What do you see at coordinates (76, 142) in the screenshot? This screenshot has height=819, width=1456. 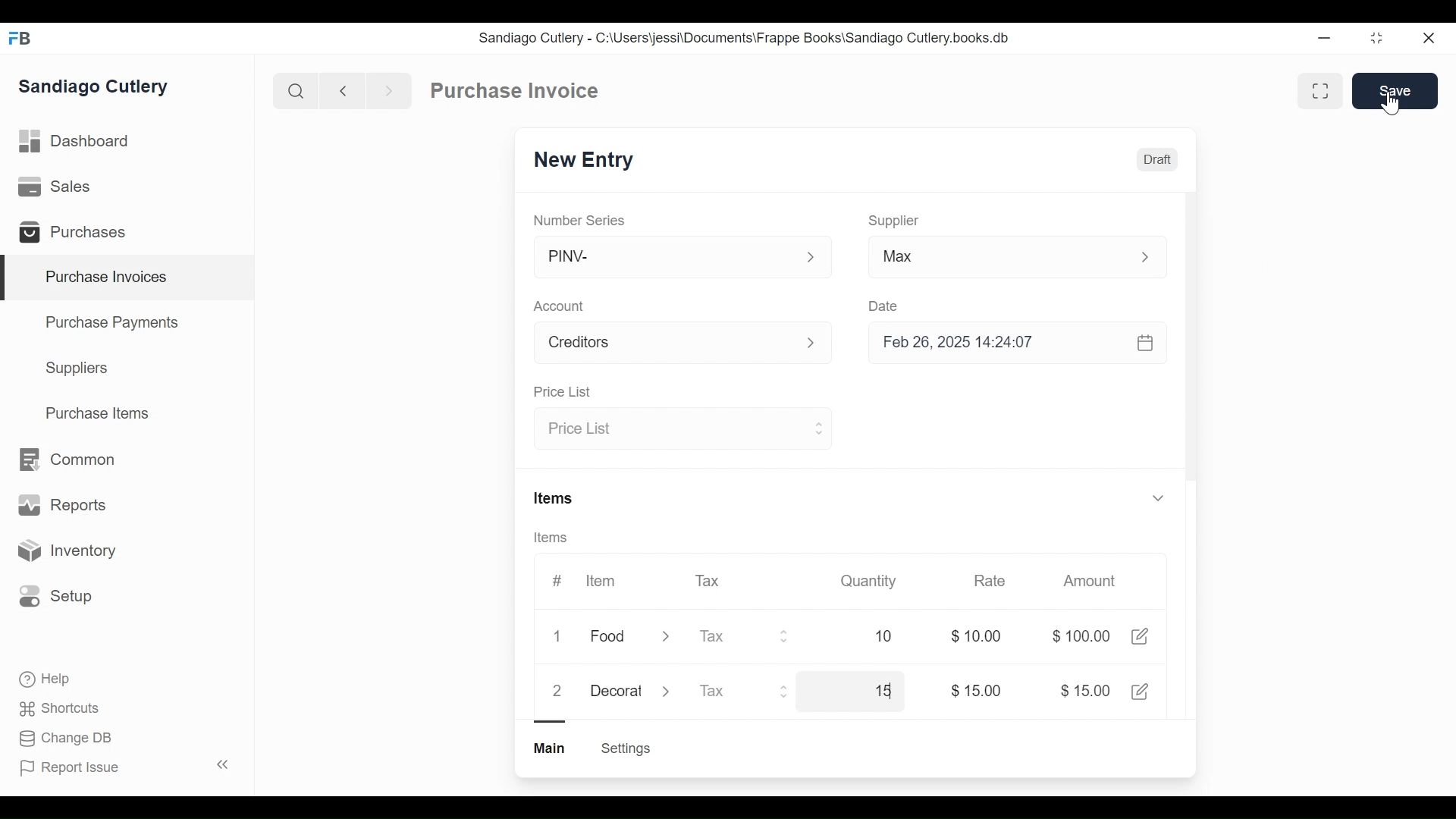 I see `Dashboard` at bounding box center [76, 142].